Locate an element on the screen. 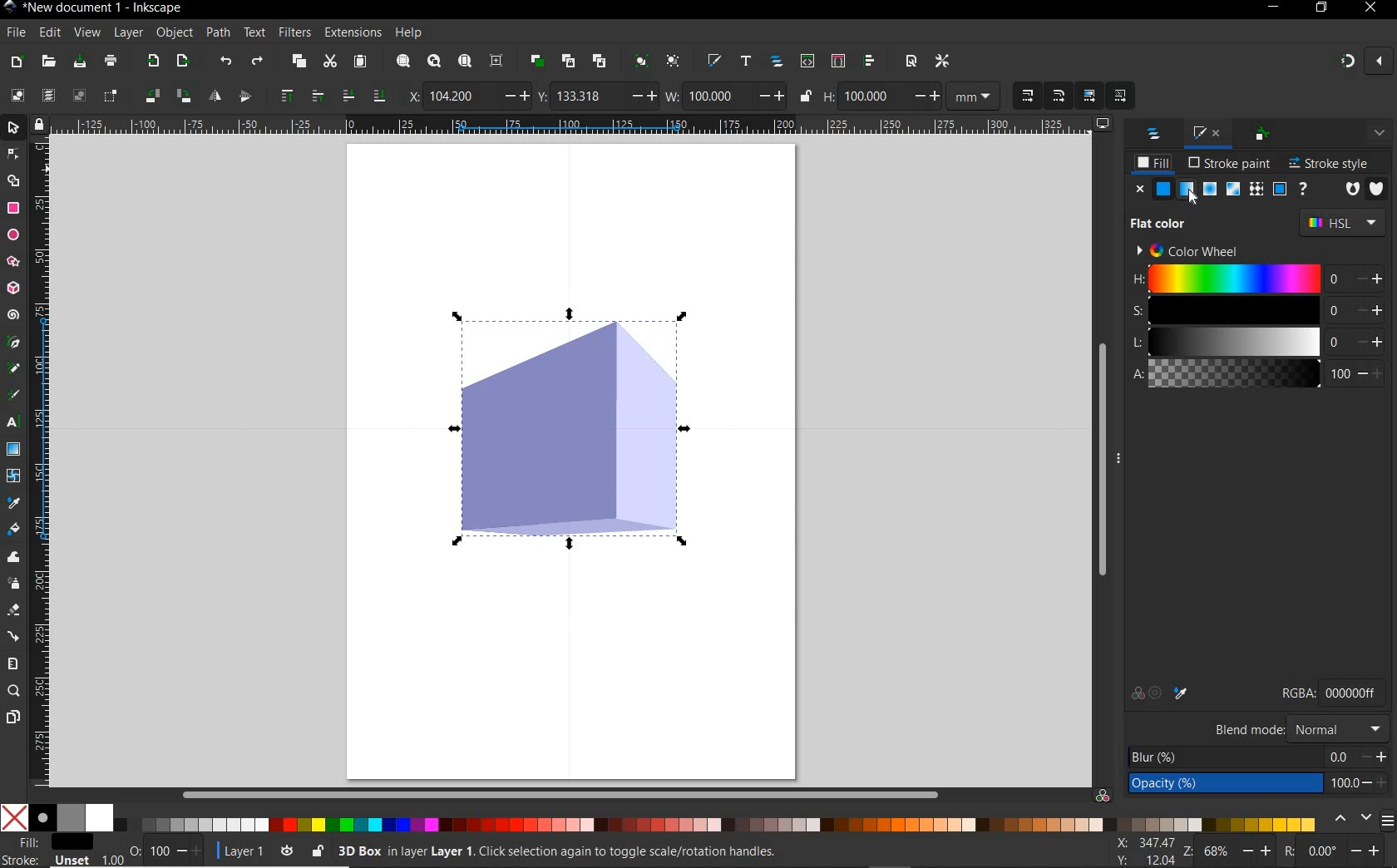 The width and height of the screenshot is (1397, 868). MEASUREMENTS is located at coordinates (974, 96).